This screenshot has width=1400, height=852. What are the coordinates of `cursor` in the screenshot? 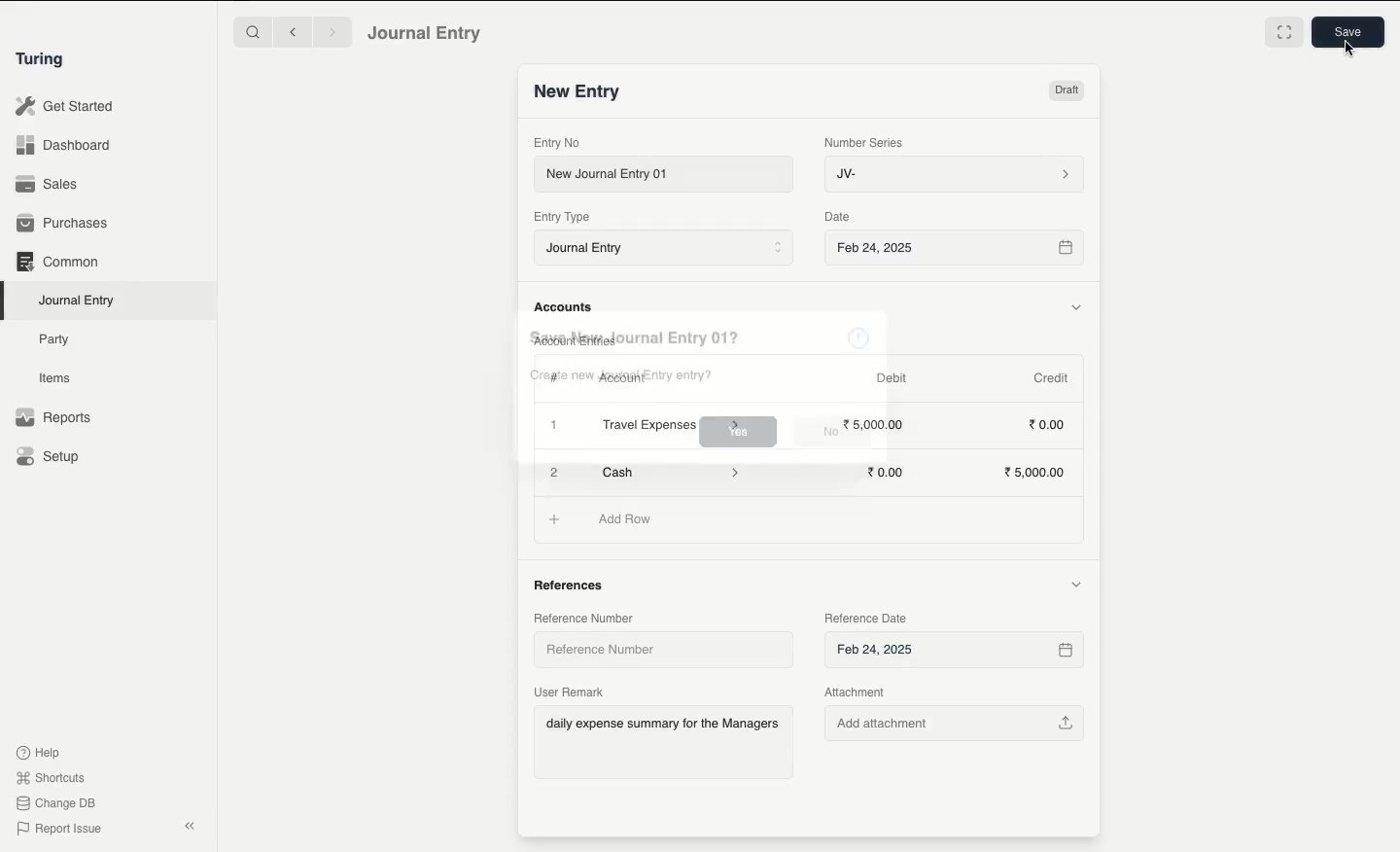 It's located at (1347, 48).